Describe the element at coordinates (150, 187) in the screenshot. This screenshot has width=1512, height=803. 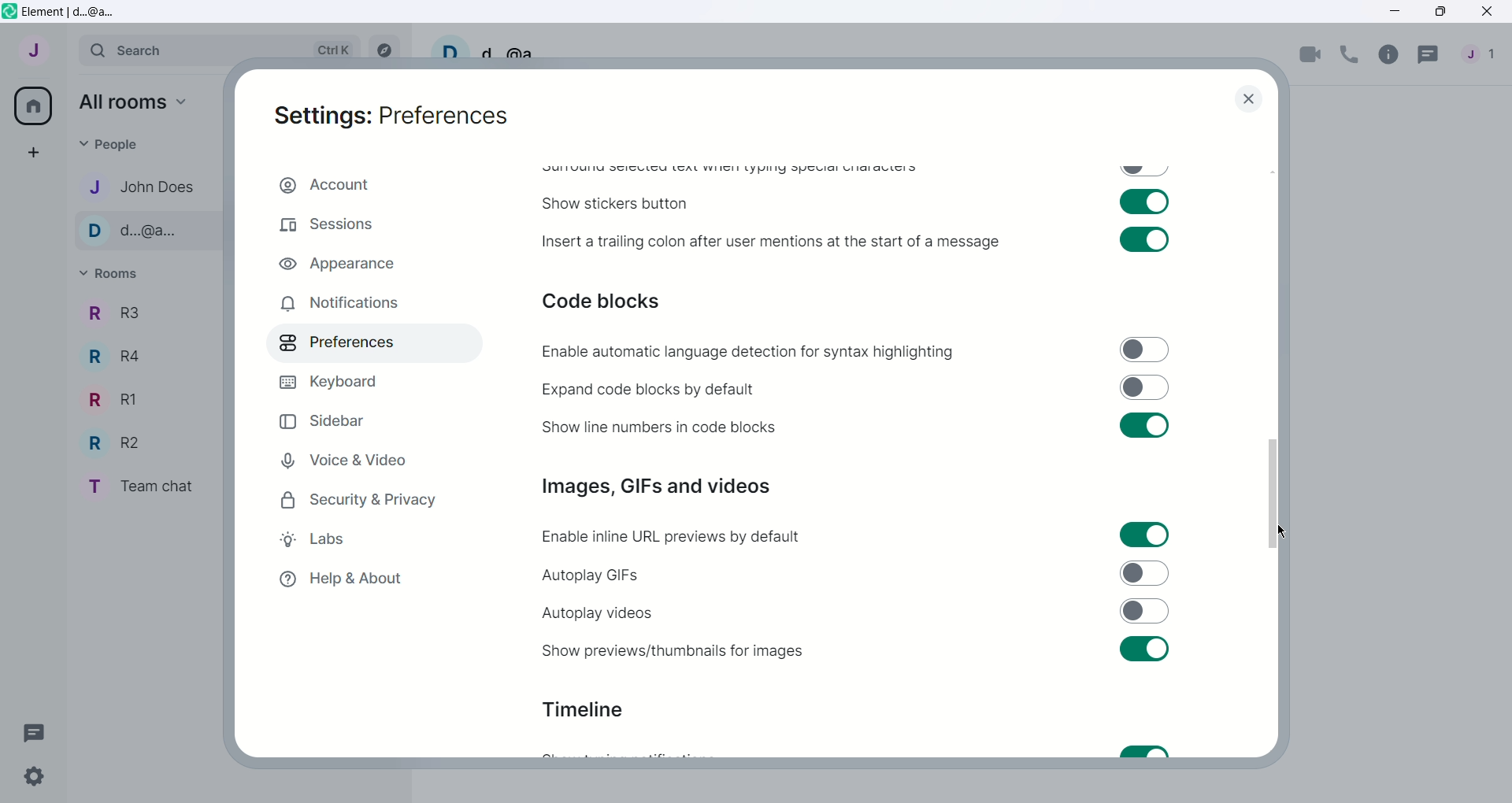
I see `John Does - Contact name` at that location.